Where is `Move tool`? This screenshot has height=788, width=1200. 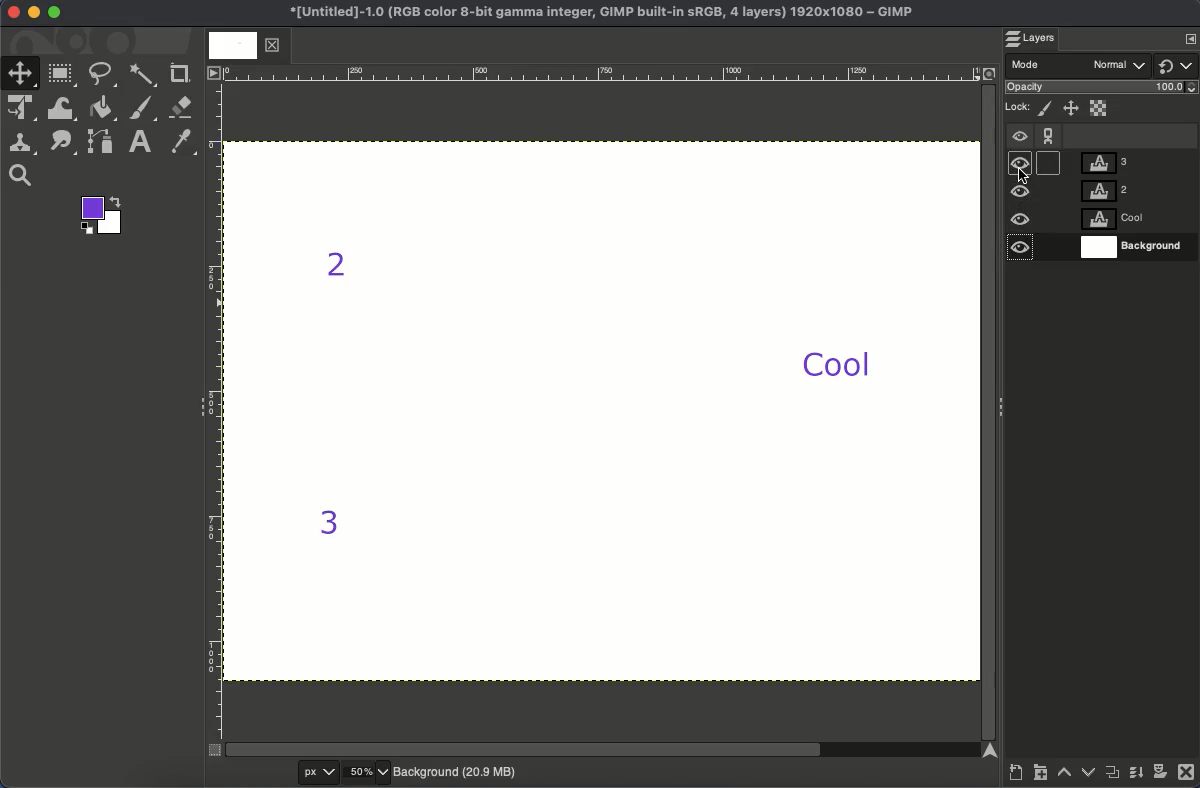 Move tool is located at coordinates (21, 72).